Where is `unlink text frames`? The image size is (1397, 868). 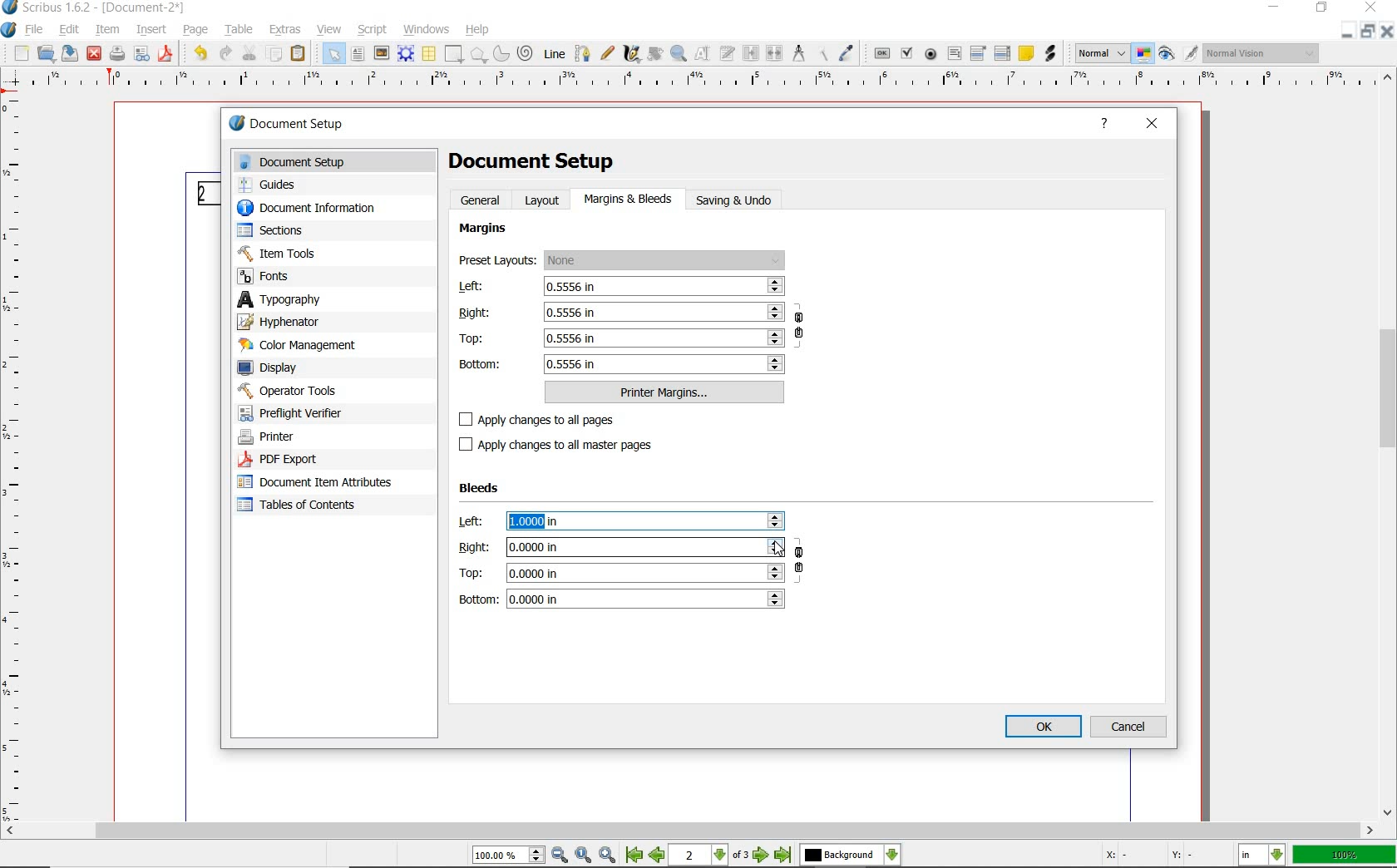 unlink text frames is located at coordinates (774, 53).